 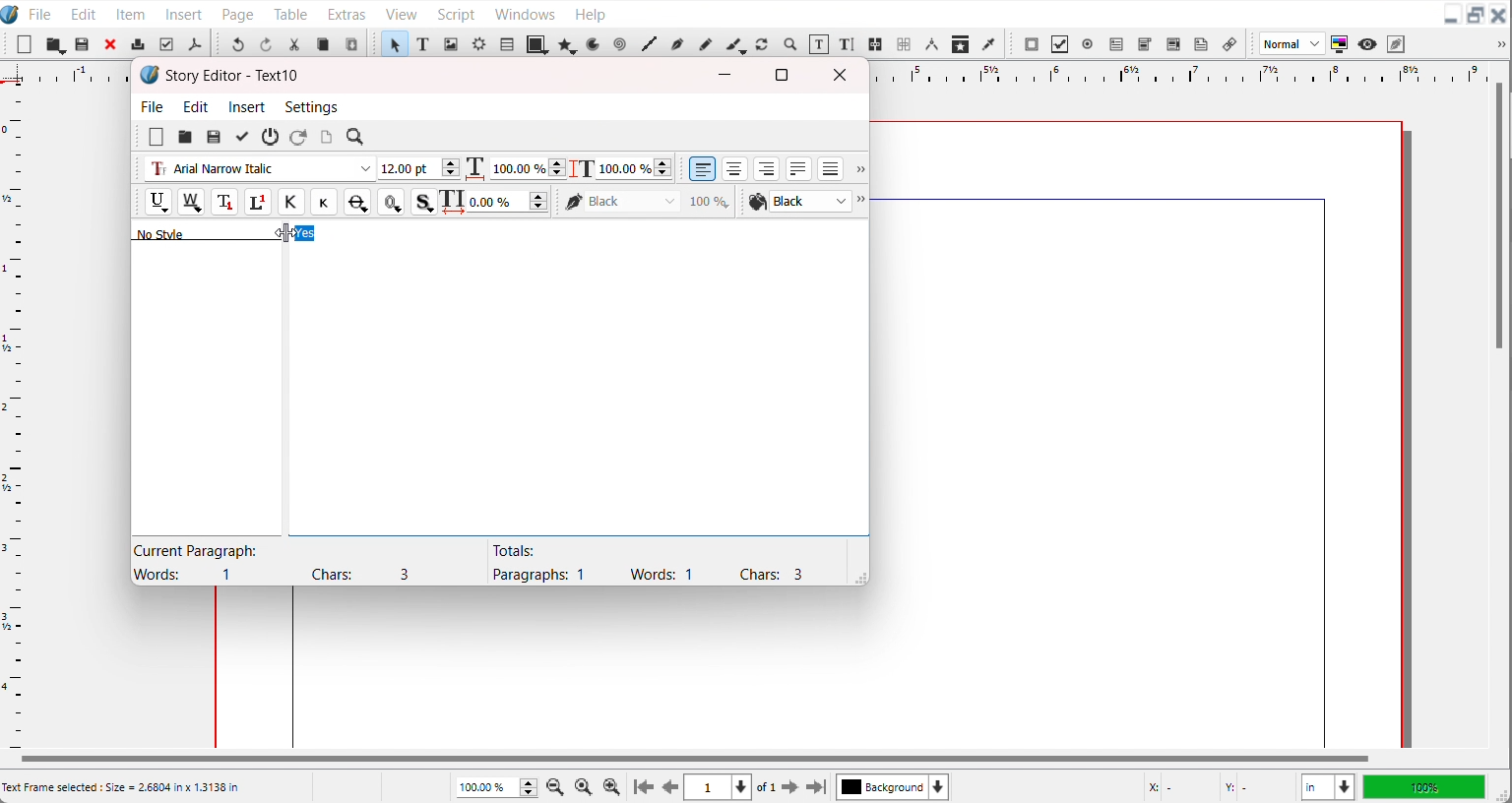 What do you see at coordinates (779, 787) in the screenshot?
I see `Go to next page` at bounding box center [779, 787].